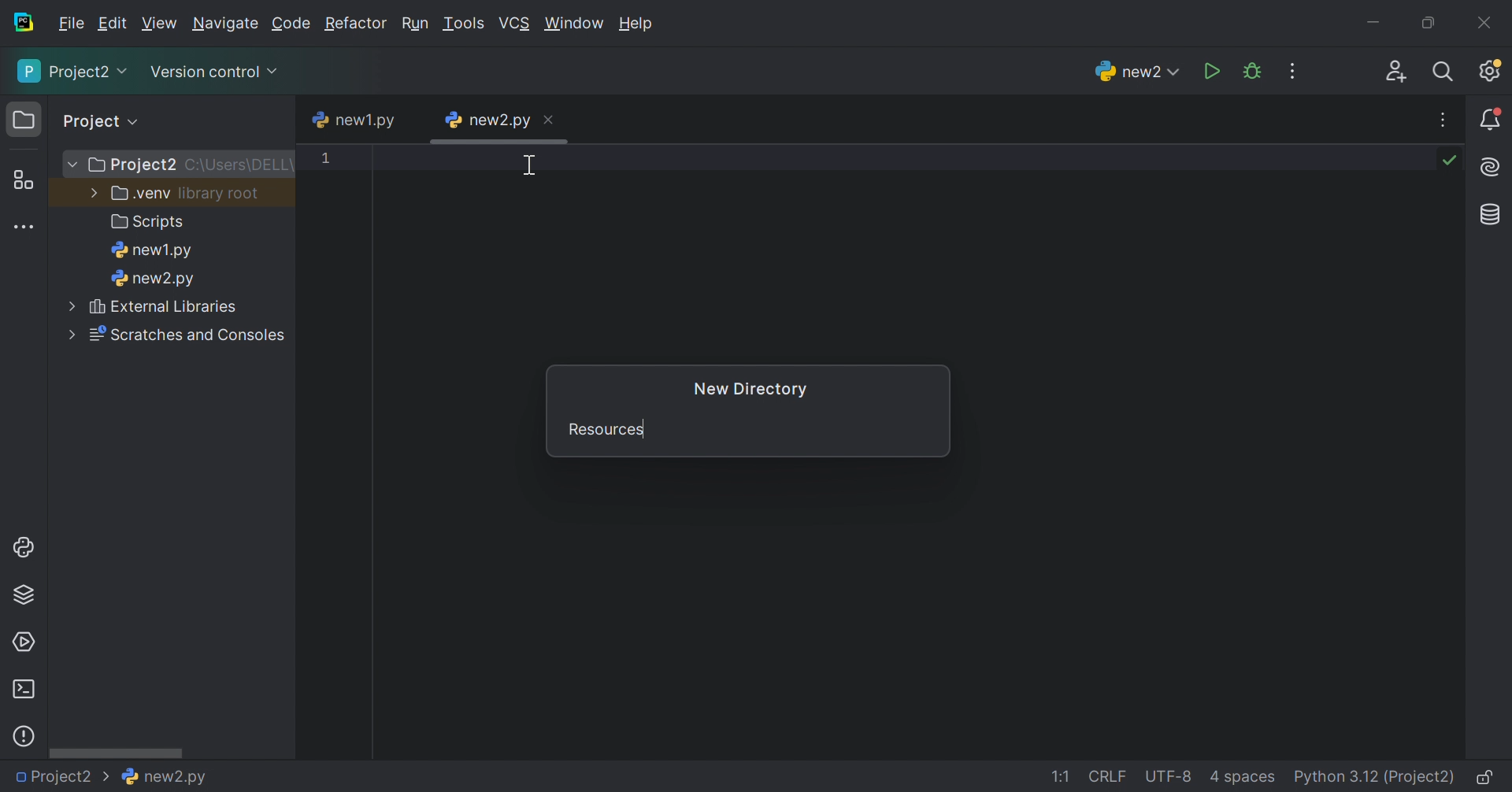 Image resolution: width=1512 pixels, height=792 pixels. I want to click on VCS, so click(514, 23).